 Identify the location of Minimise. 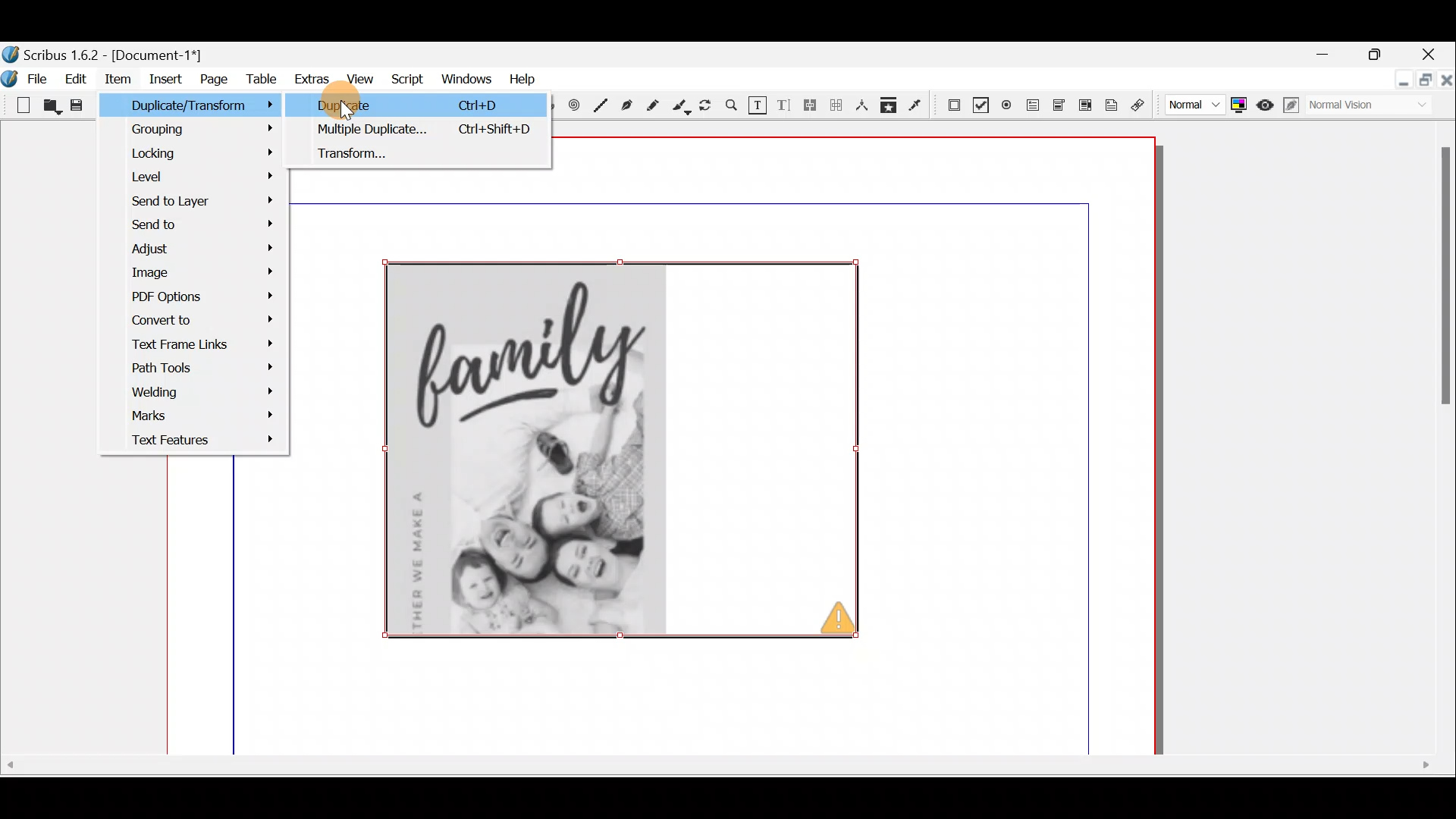
(1325, 55).